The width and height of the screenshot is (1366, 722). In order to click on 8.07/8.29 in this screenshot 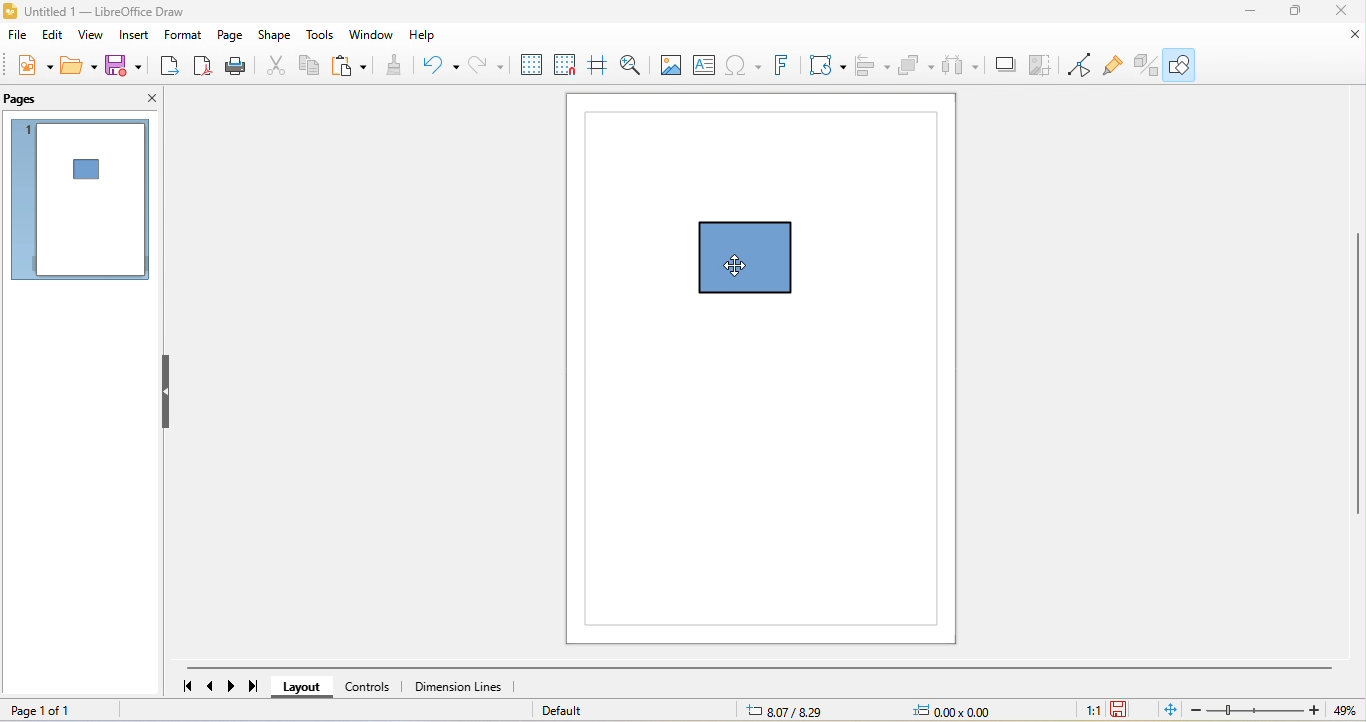, I will do `click(790, 709)`.